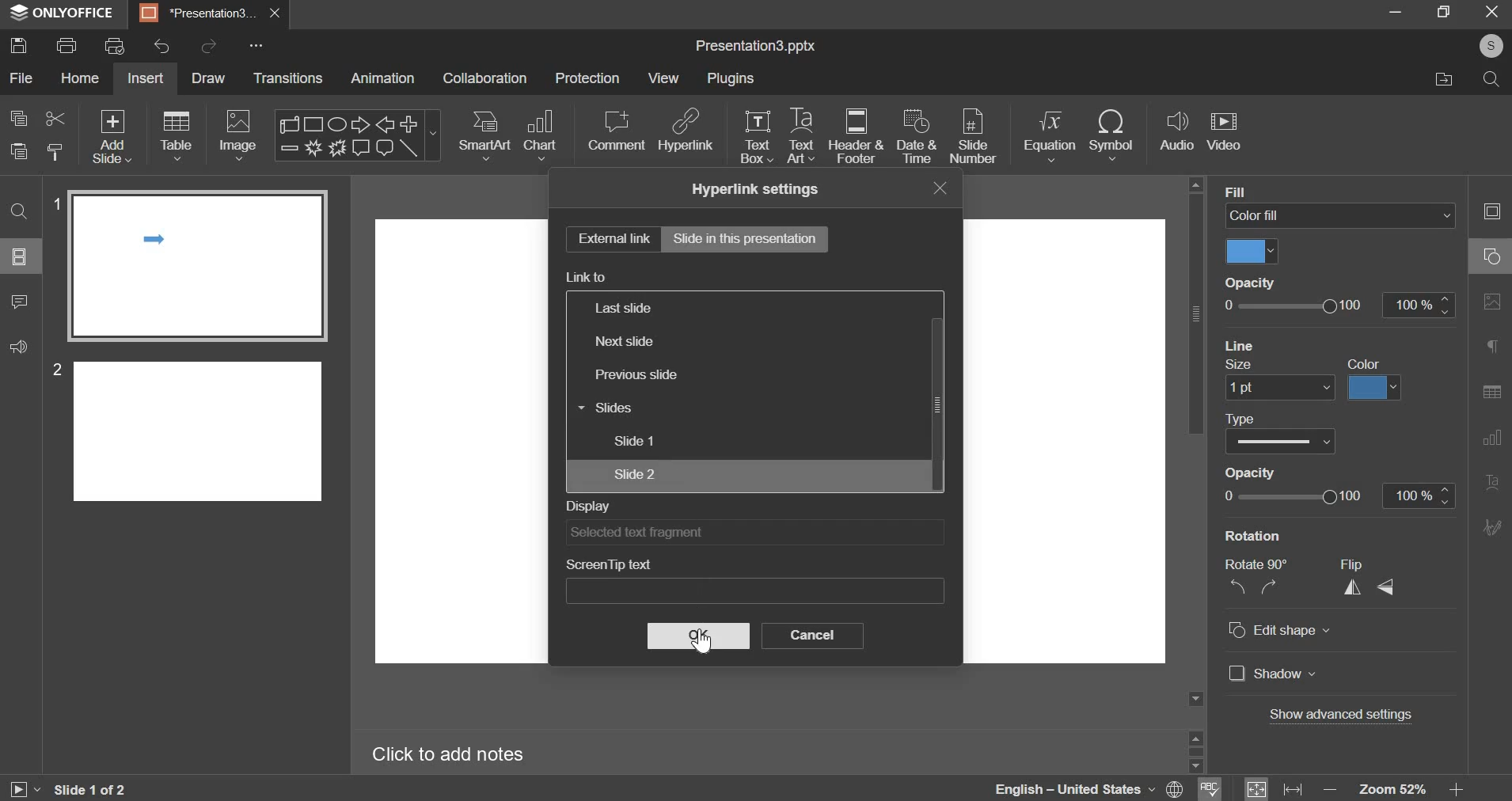  Describe the element at coordinates (336, 123) in the screenshot. I see `ellipse` at that location.